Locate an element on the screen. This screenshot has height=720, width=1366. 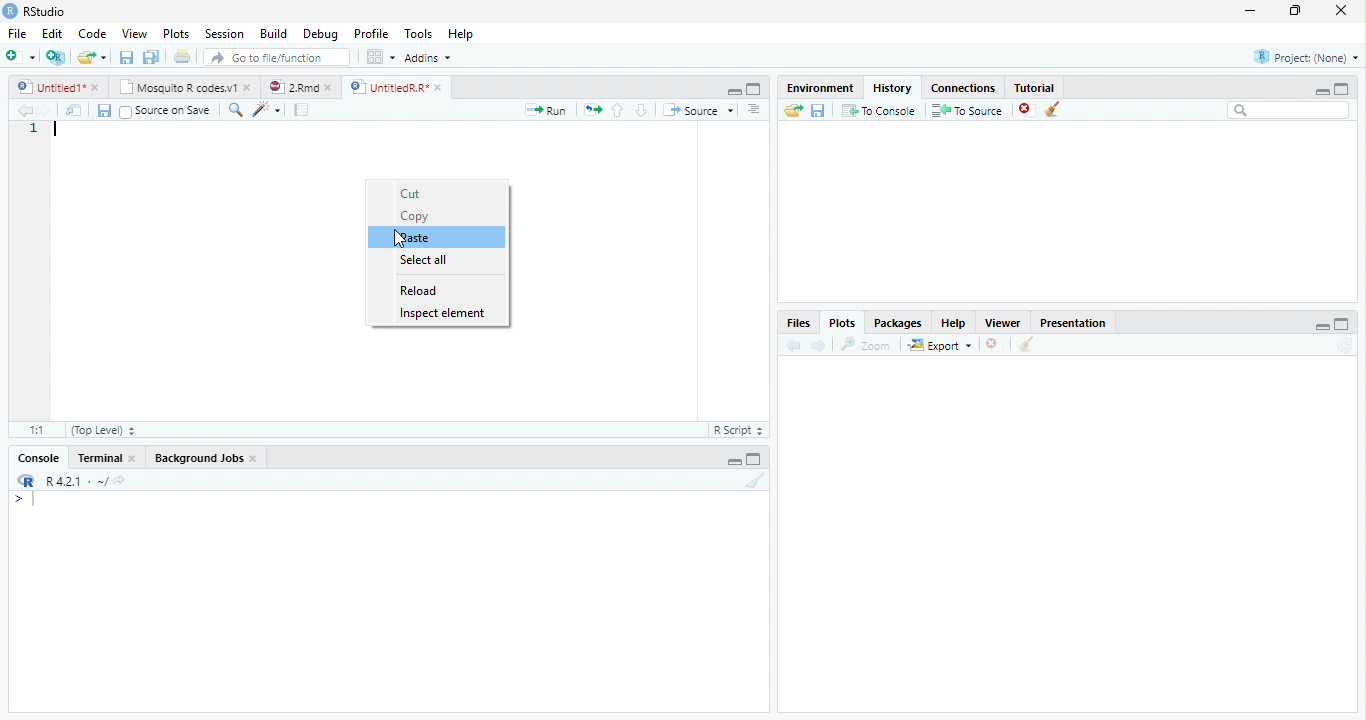
back is located at coordinates (20, 110).